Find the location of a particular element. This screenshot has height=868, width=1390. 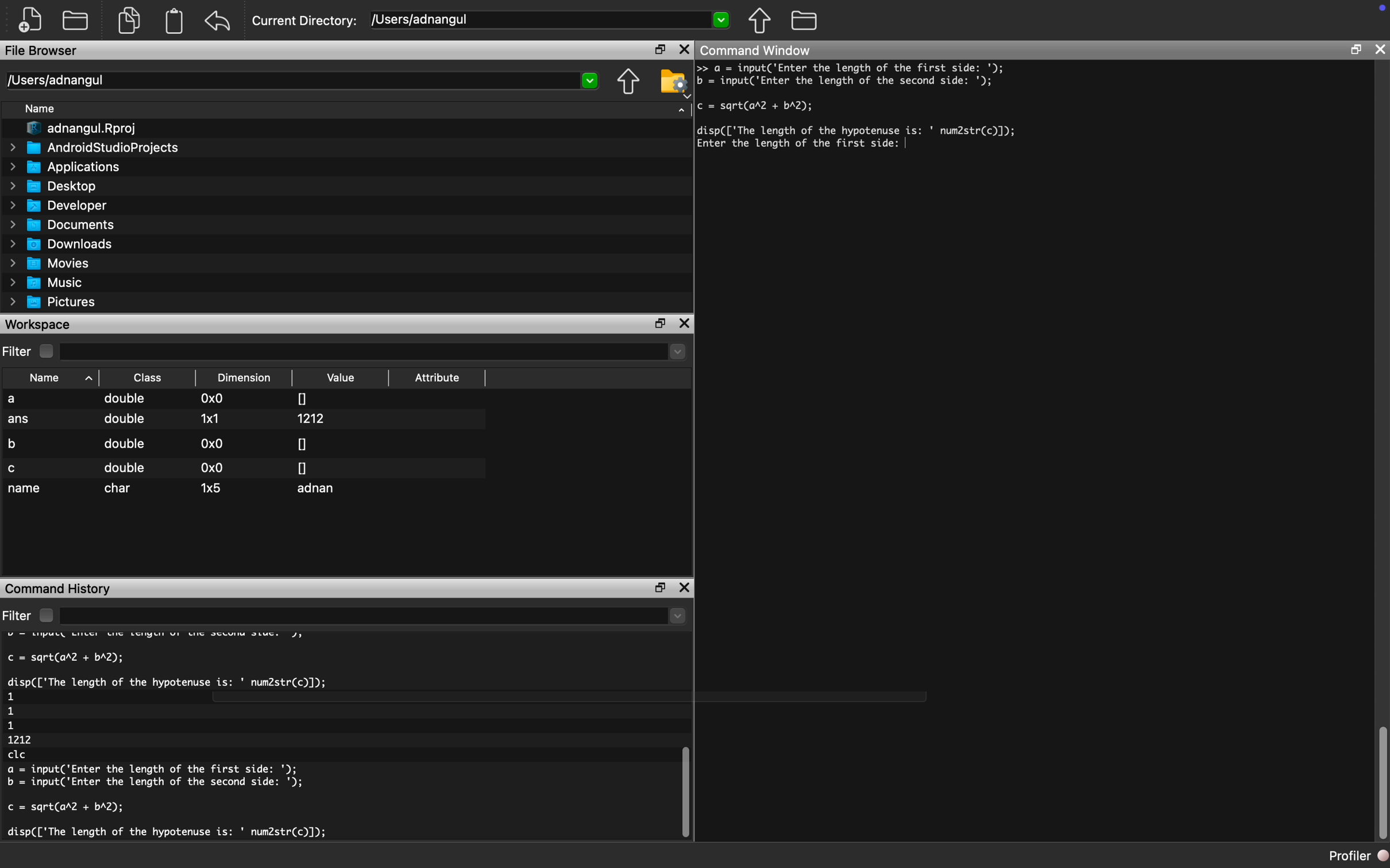

 Applications is located at coordinates (70, 166).